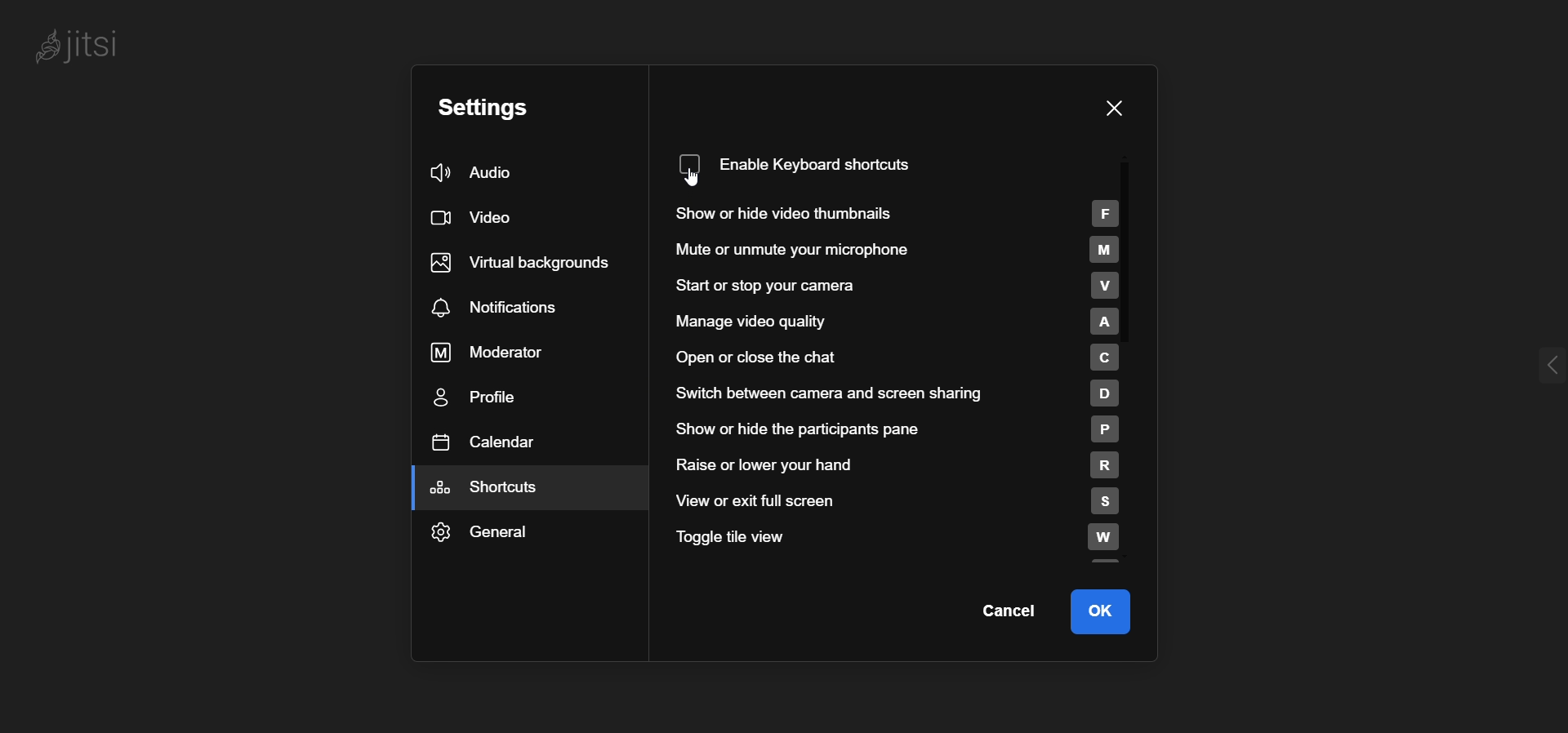  I want to click on toggle tile view, so click(906, 538).